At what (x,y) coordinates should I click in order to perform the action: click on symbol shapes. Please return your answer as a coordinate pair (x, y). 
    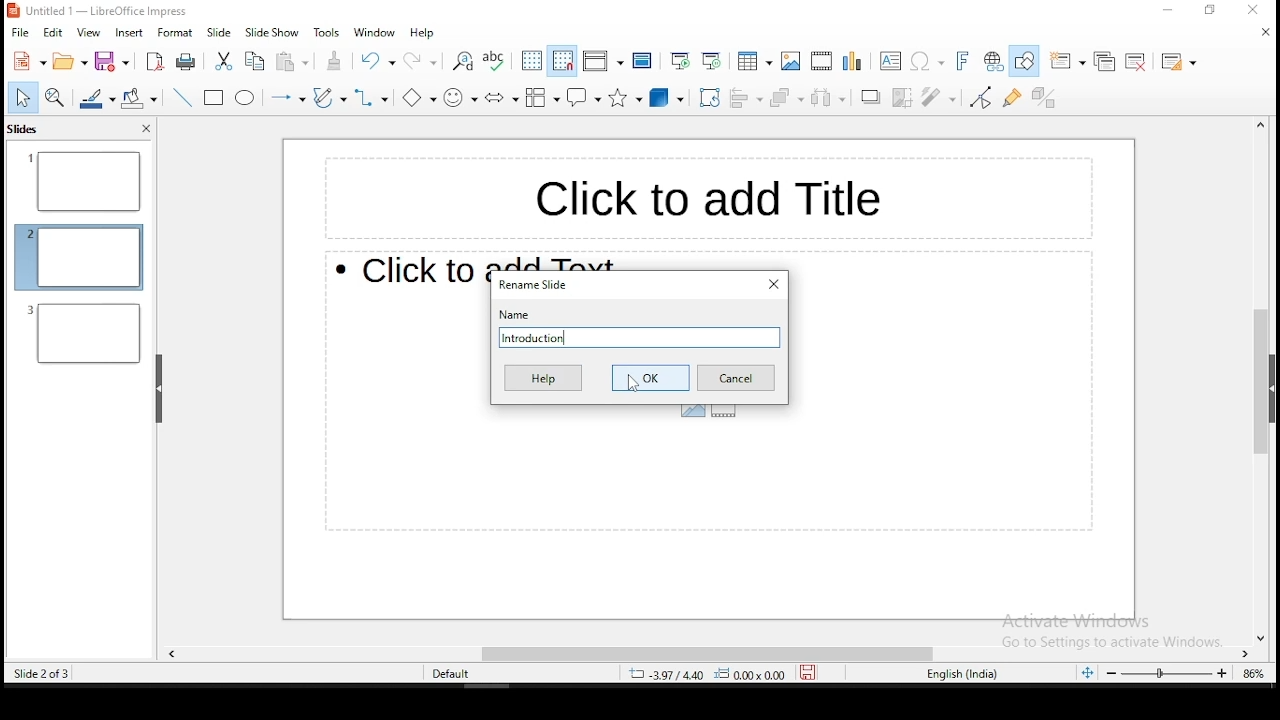
    Looking at the image, I should click on (460, 97).